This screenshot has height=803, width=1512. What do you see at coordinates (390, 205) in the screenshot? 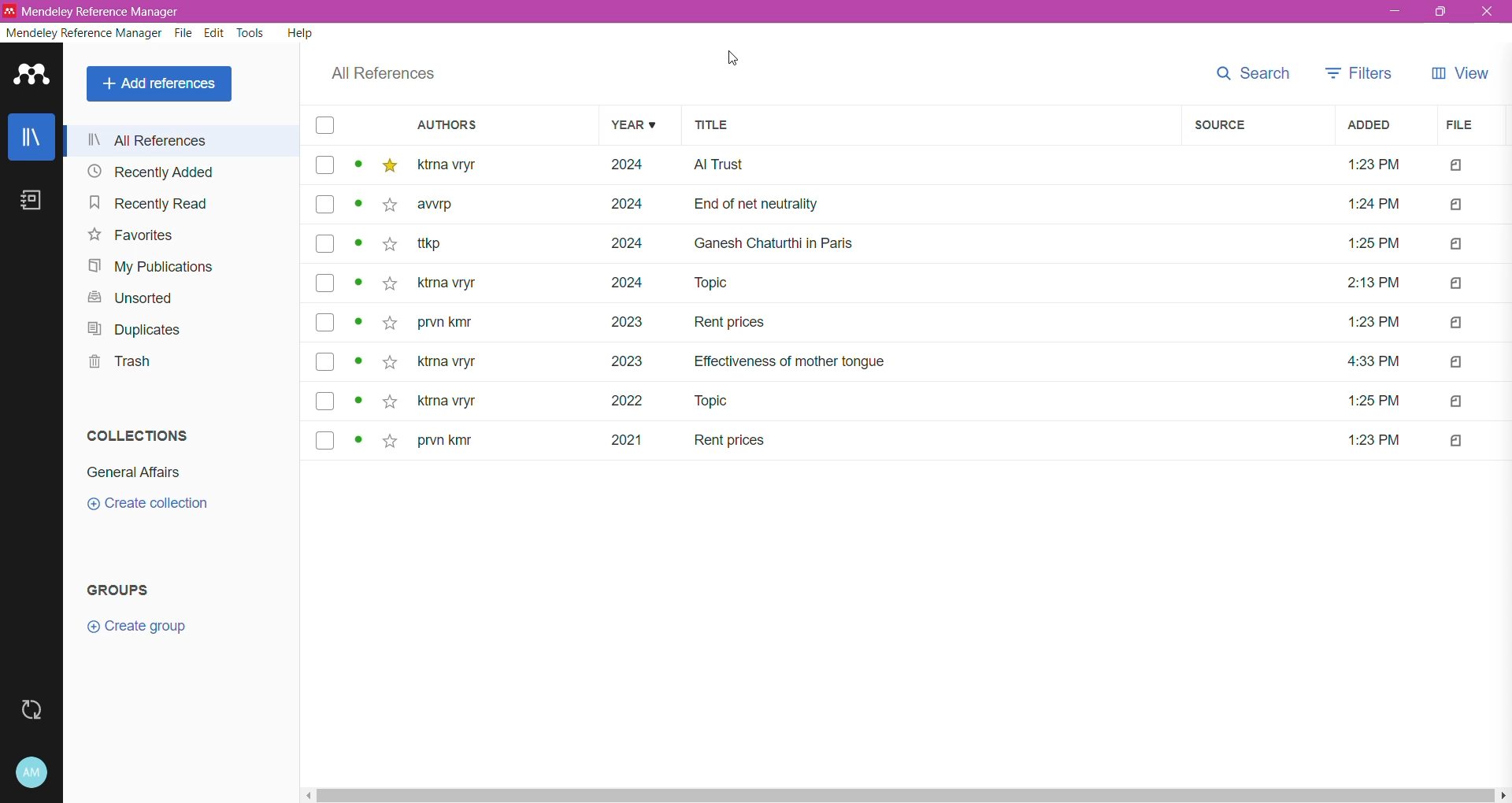
I see `click to add to favorites` at bounding box center [390, 205].